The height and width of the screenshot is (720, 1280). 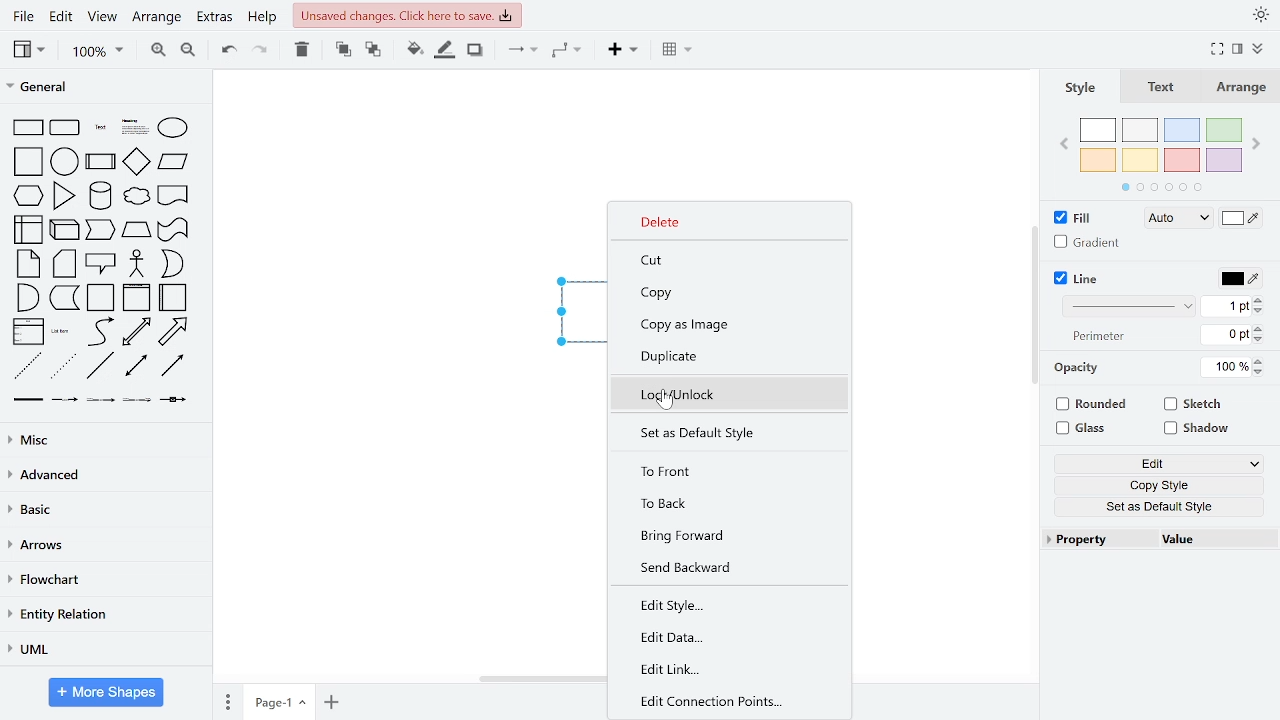 What do you see at coordinates (171, 264) in the screenshot?
I see `or` at bounding box center [171, 264].